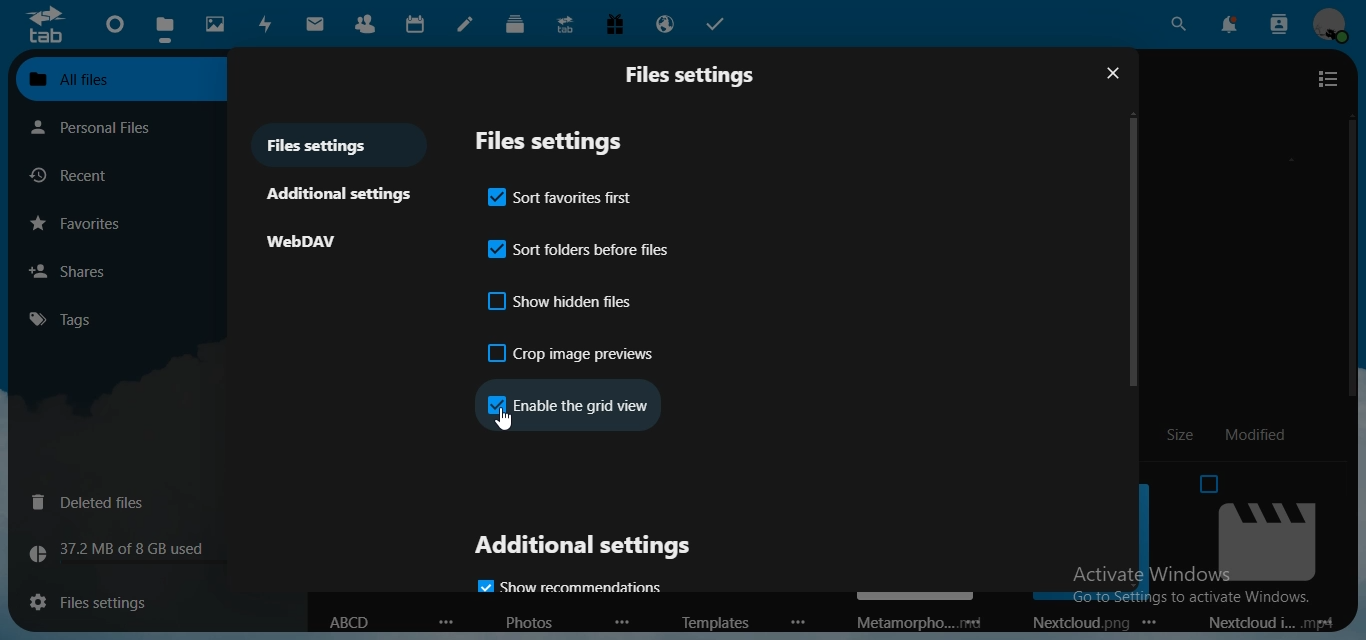 The image size is (1366, 640). I want to click on free trial, so click(616, 24).